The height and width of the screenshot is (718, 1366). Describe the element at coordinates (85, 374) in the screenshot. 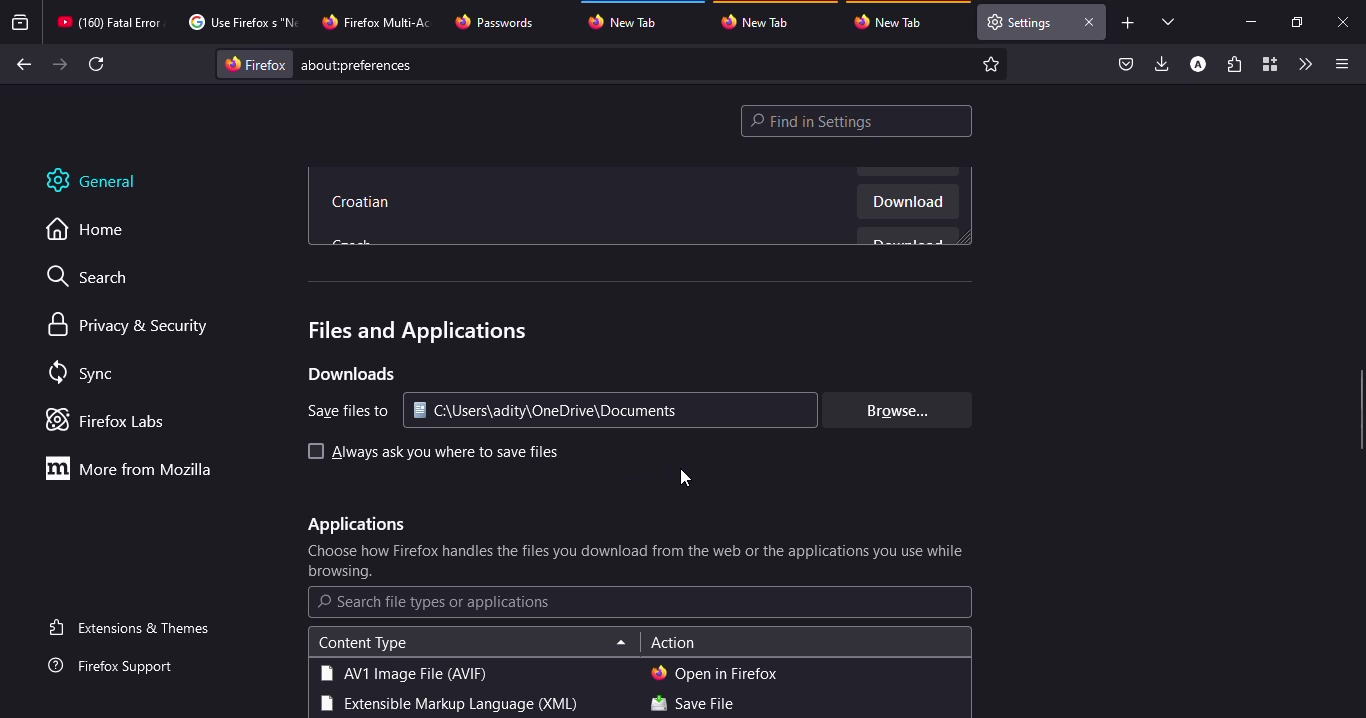

I see `sync` at that location.